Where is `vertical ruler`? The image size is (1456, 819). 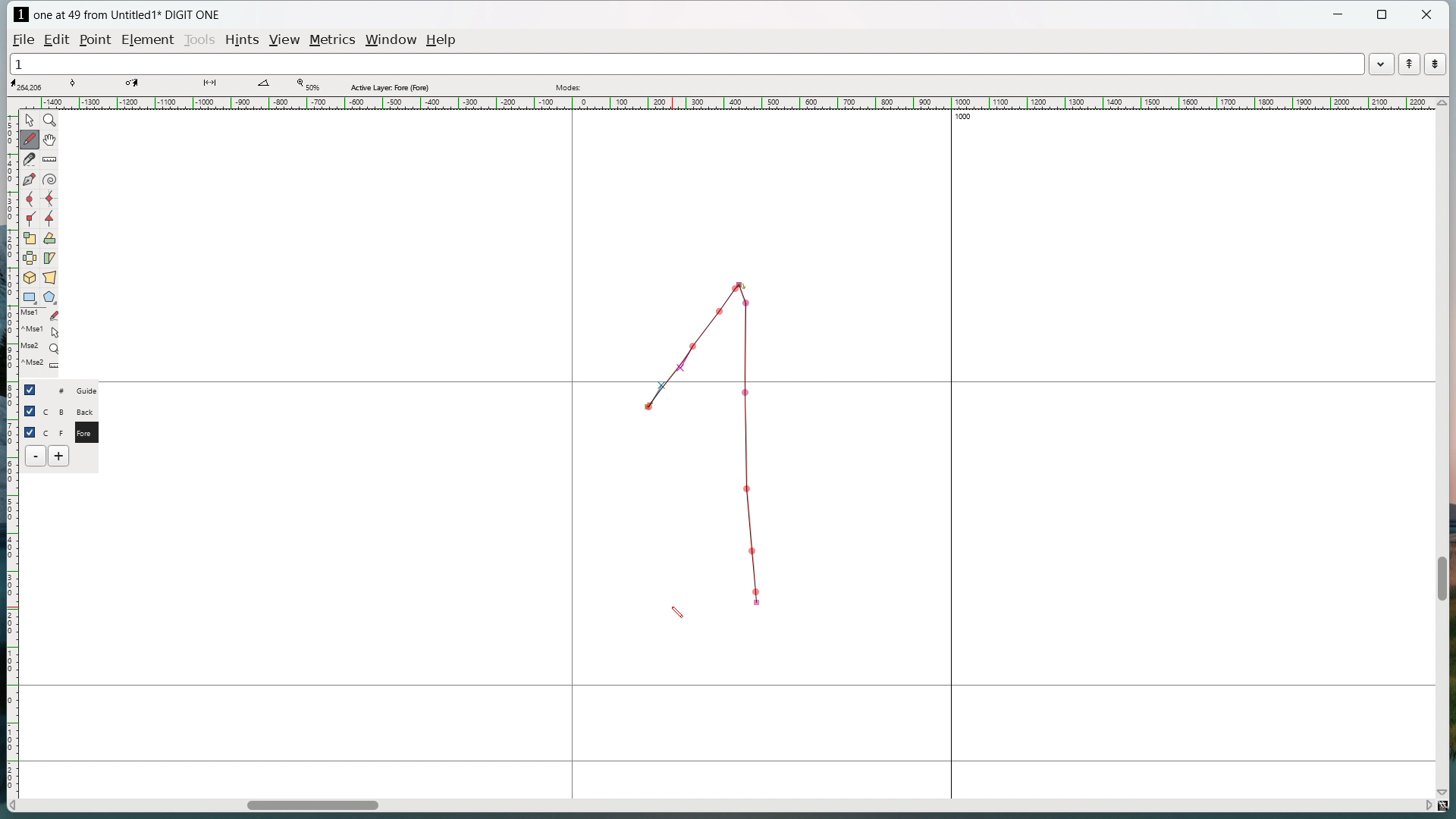
vertical ruler is located at coordinates (11, 446).